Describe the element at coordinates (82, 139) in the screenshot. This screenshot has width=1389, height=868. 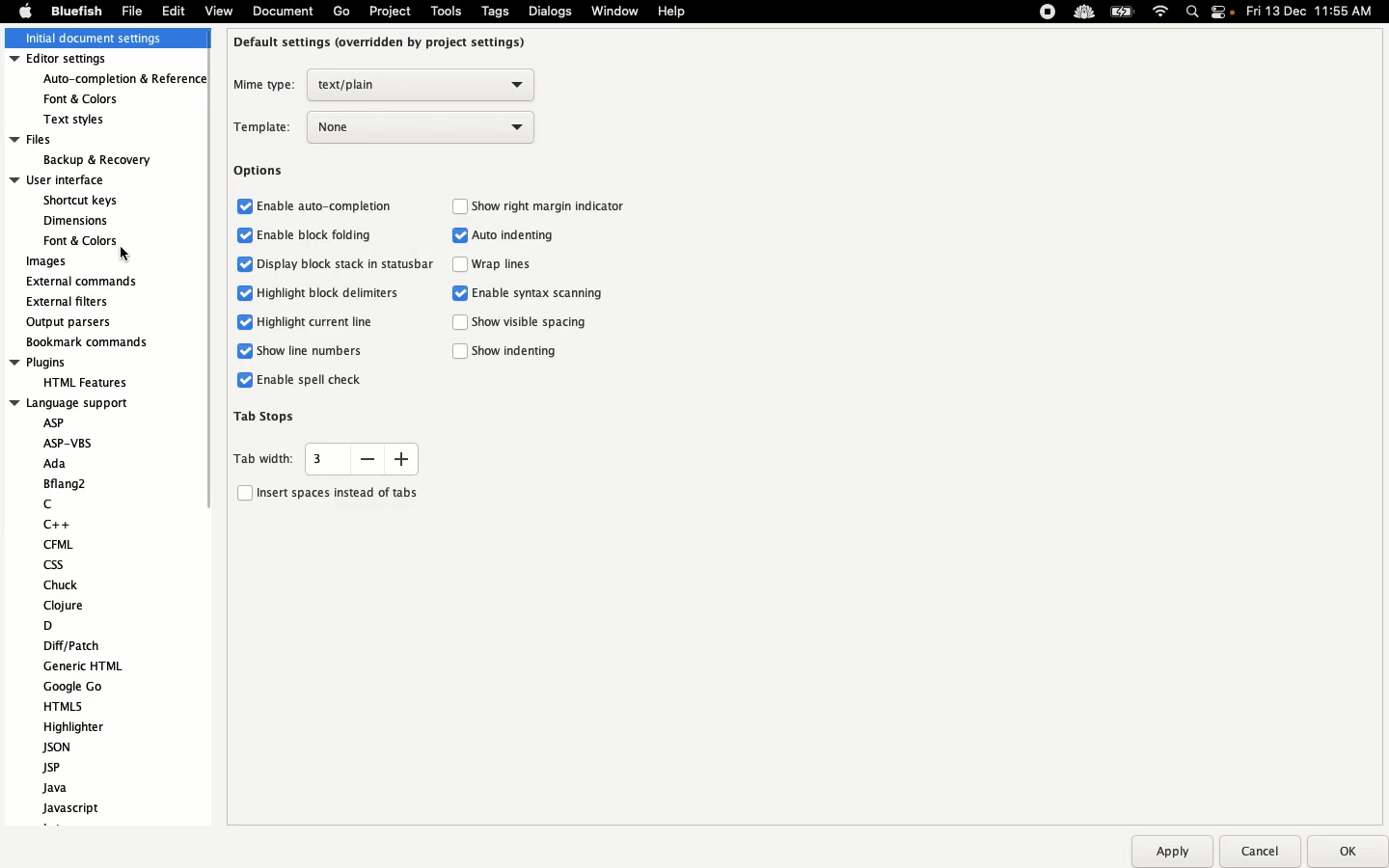
I see `Files` at that location.